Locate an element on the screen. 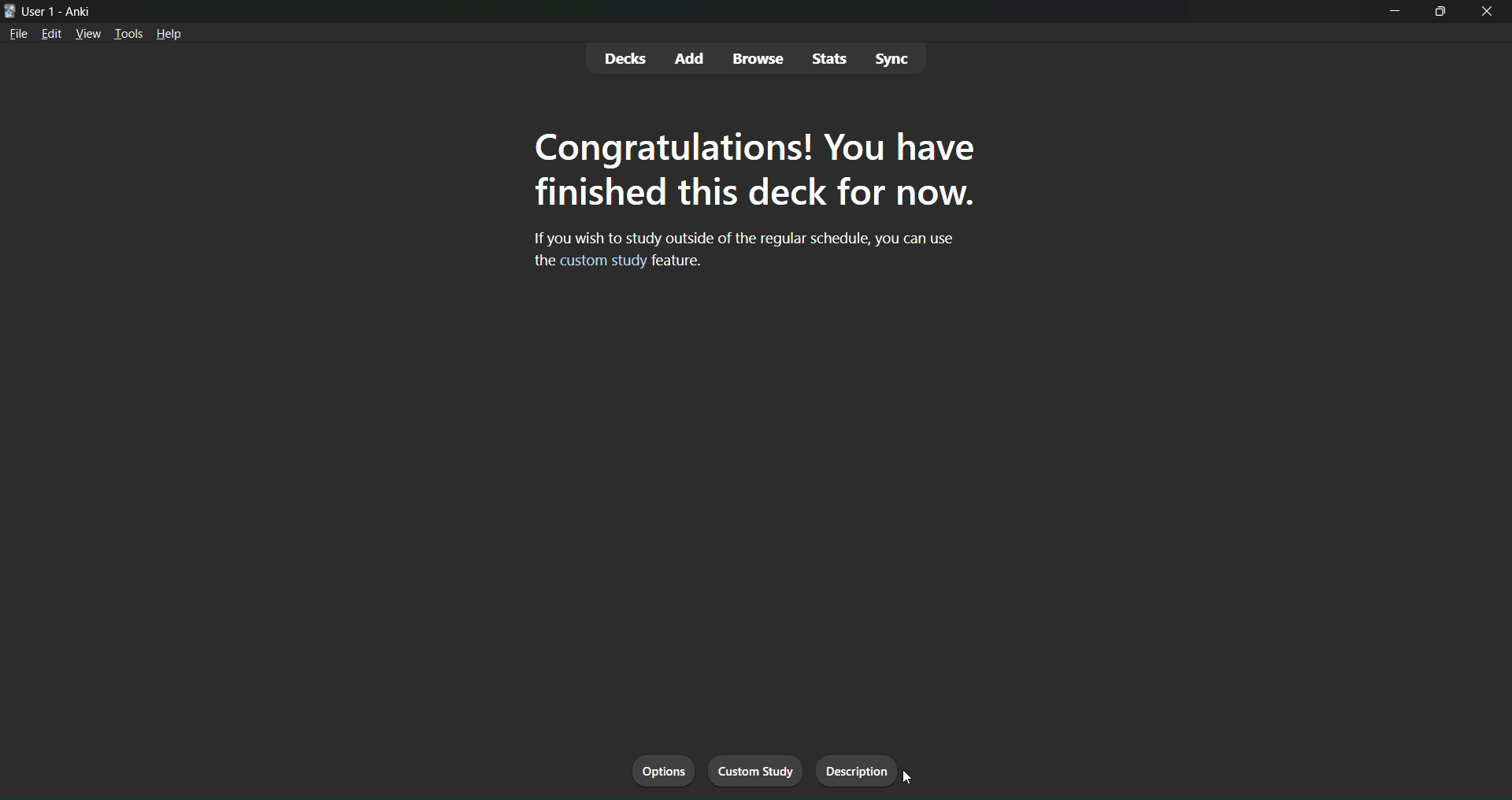 This screenshot has width=1512, height=800. If you wish to study outside of the regular schedule, you can use is located at coordinates (750, 238).